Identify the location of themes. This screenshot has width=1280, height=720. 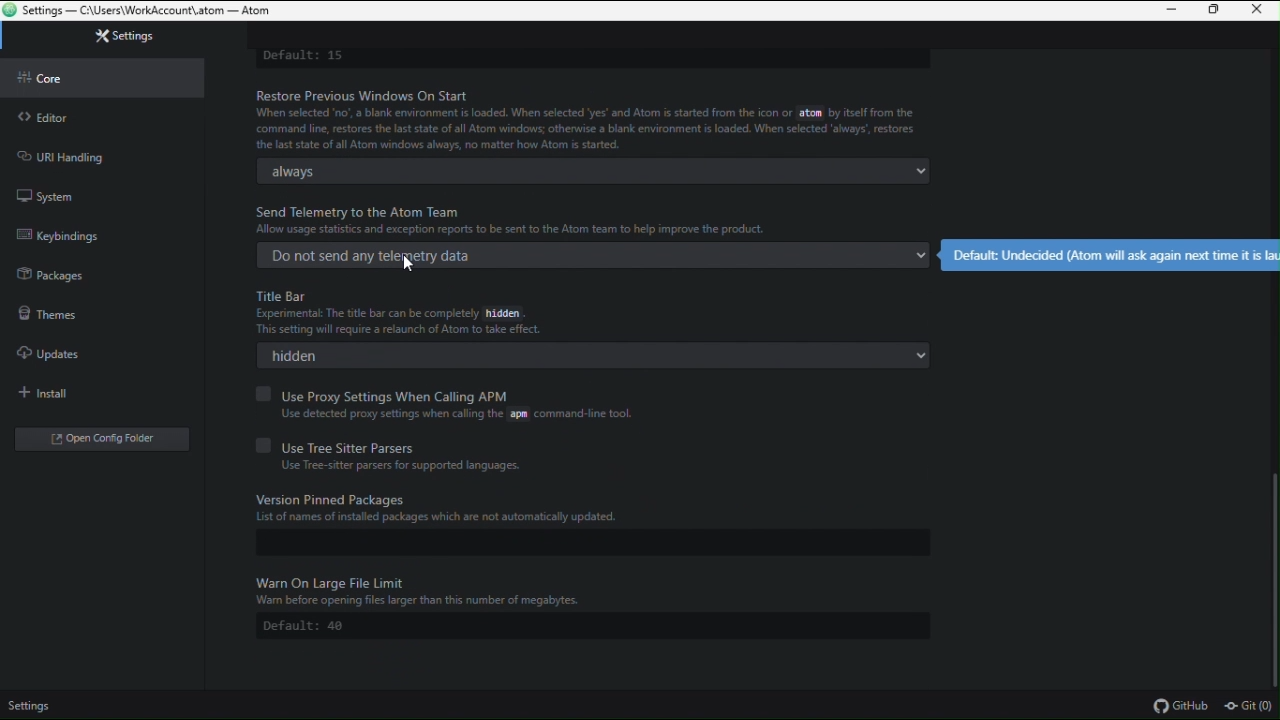
(94, 310).